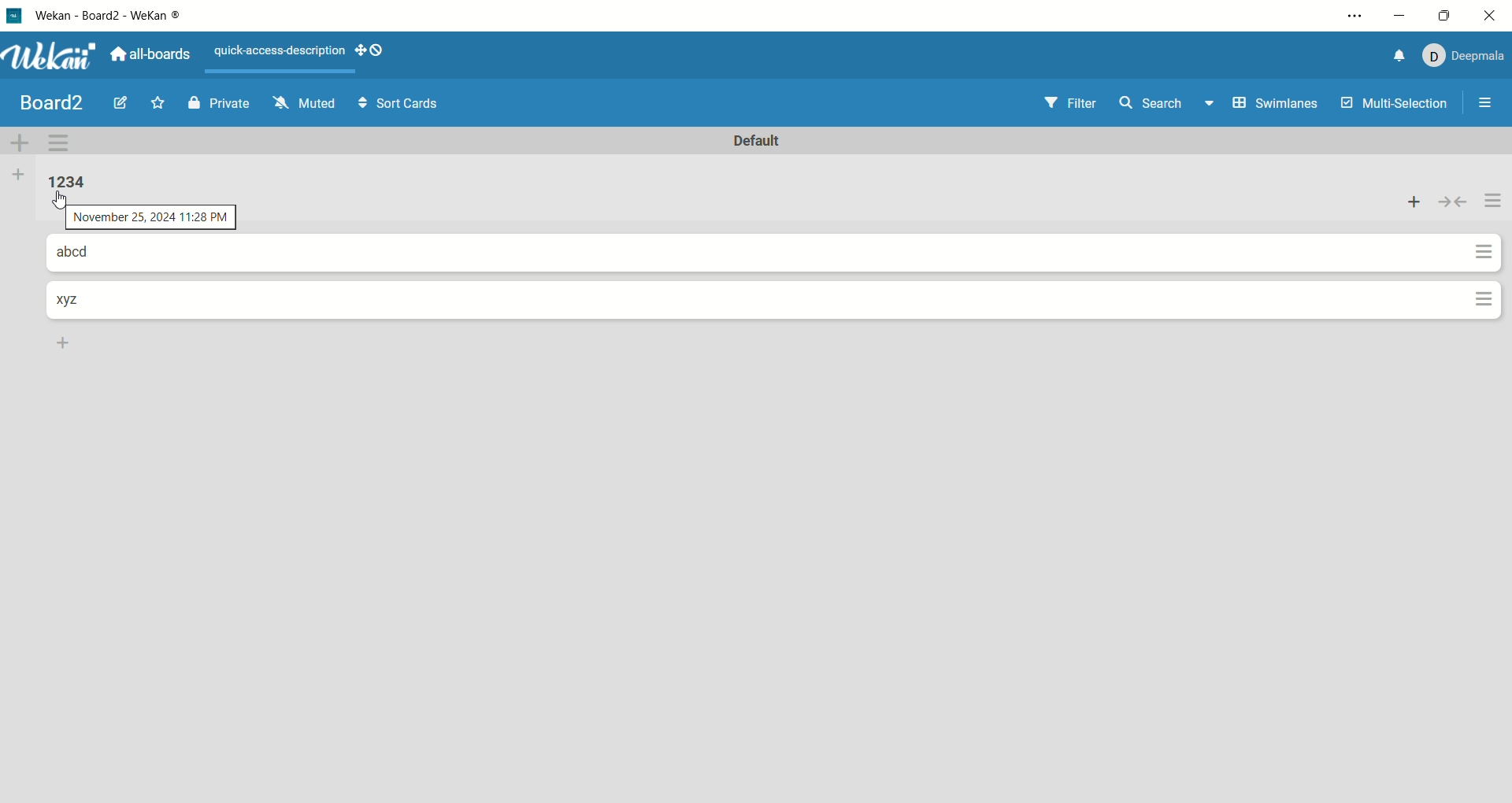 This screenshot has width=1512, height=803. What do you see at coordinates (376, 52) in the screenshot?
I see `show-desktop-drag-handles` at bounding box center [376, 52].